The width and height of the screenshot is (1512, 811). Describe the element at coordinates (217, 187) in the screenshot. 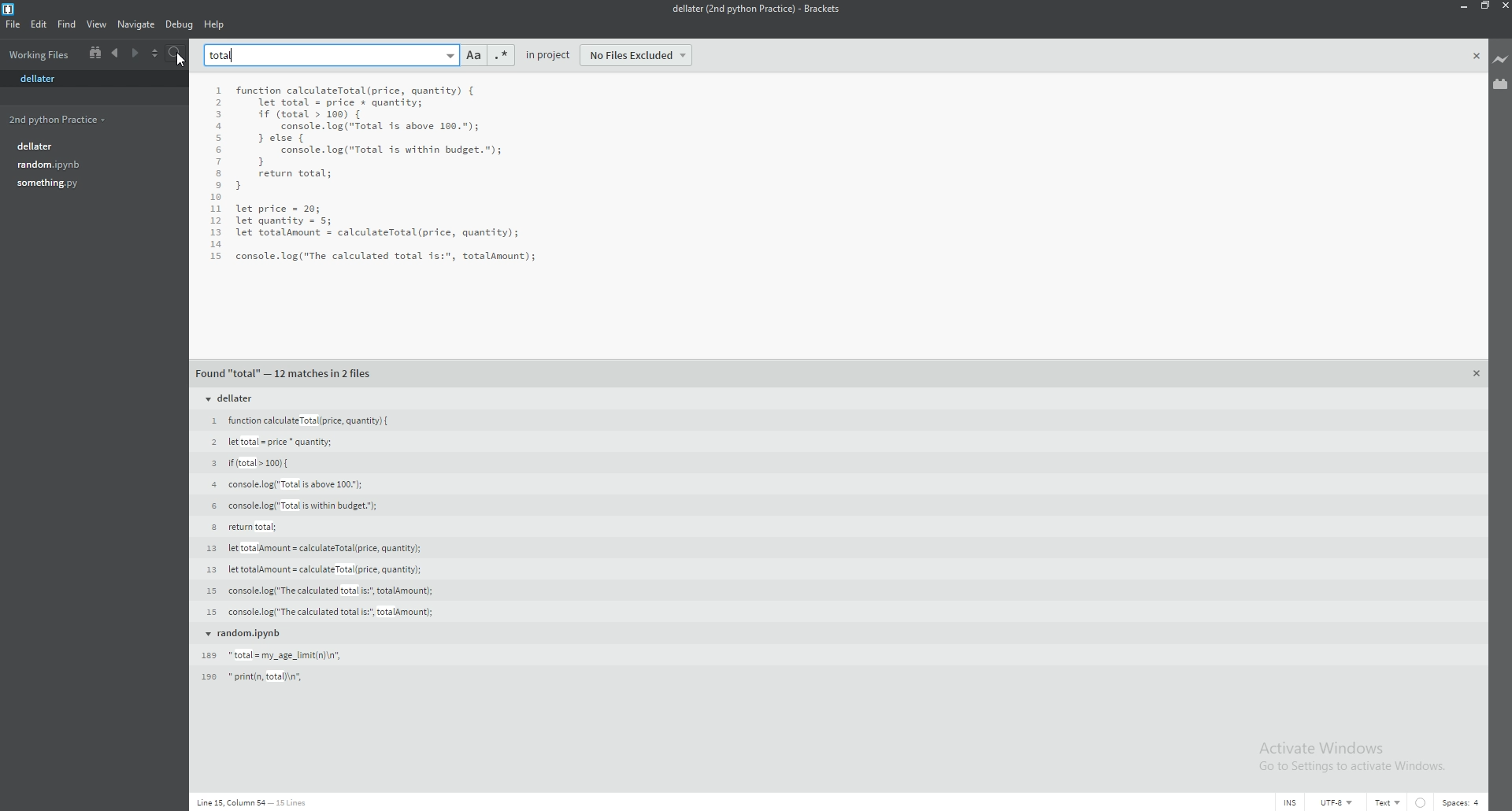

I see `9` at that location.